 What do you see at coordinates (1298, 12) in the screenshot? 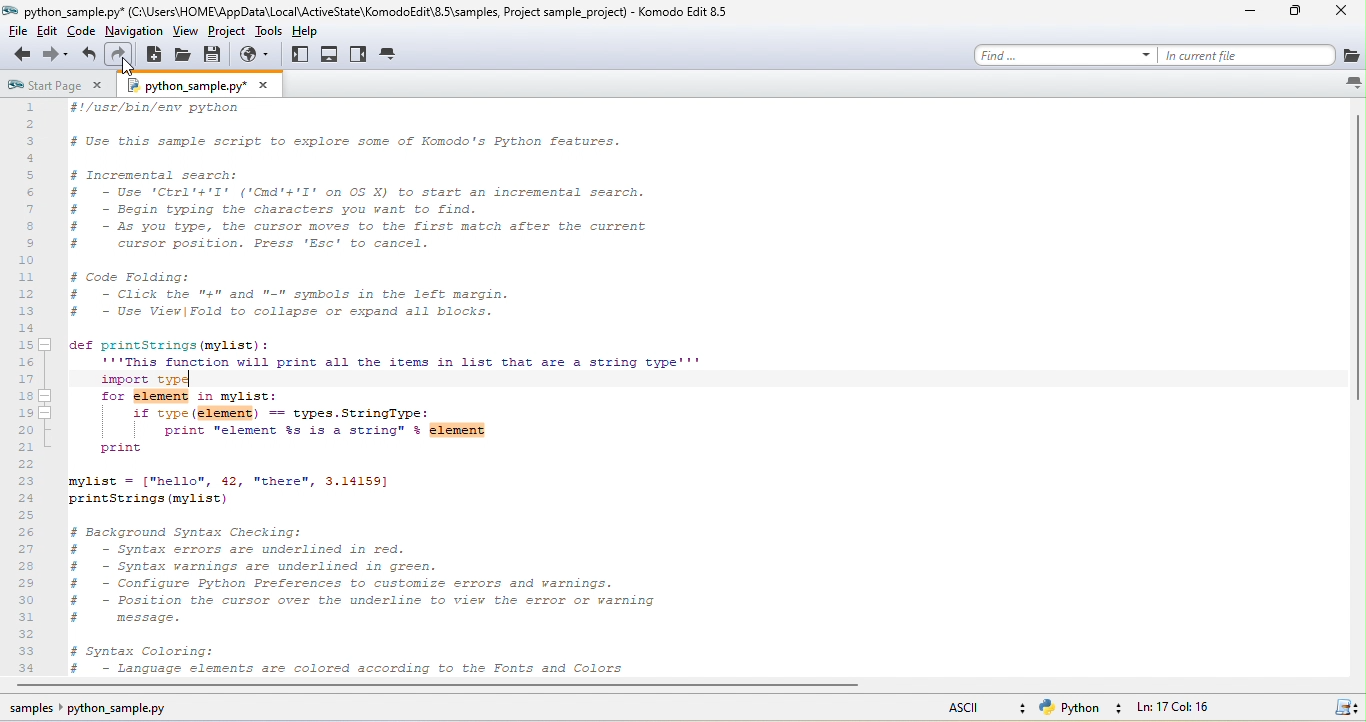
I see `maximize` at bounding box center [1298, 12].